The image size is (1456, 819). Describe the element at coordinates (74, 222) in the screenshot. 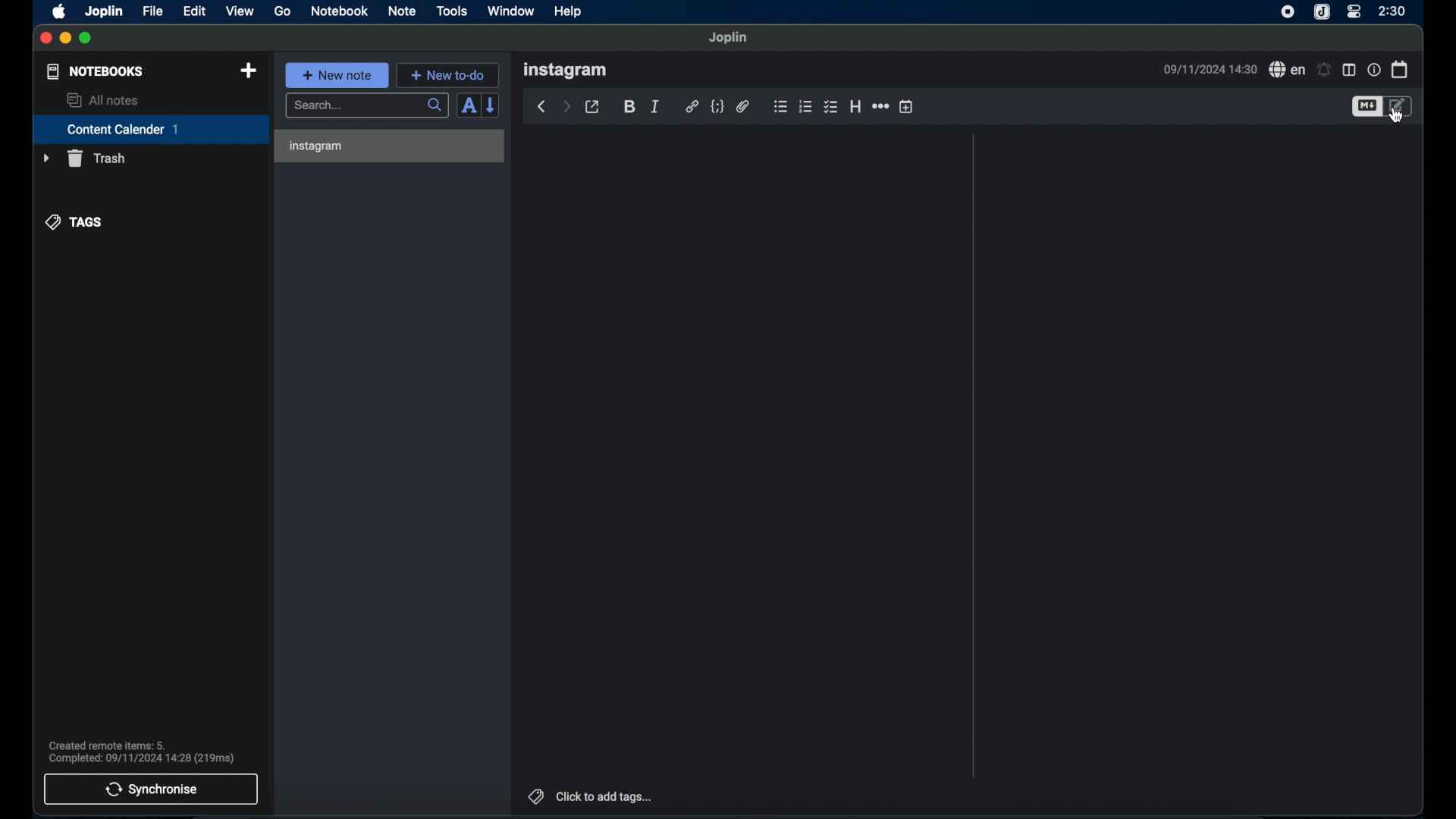

I see `tags` at that location.